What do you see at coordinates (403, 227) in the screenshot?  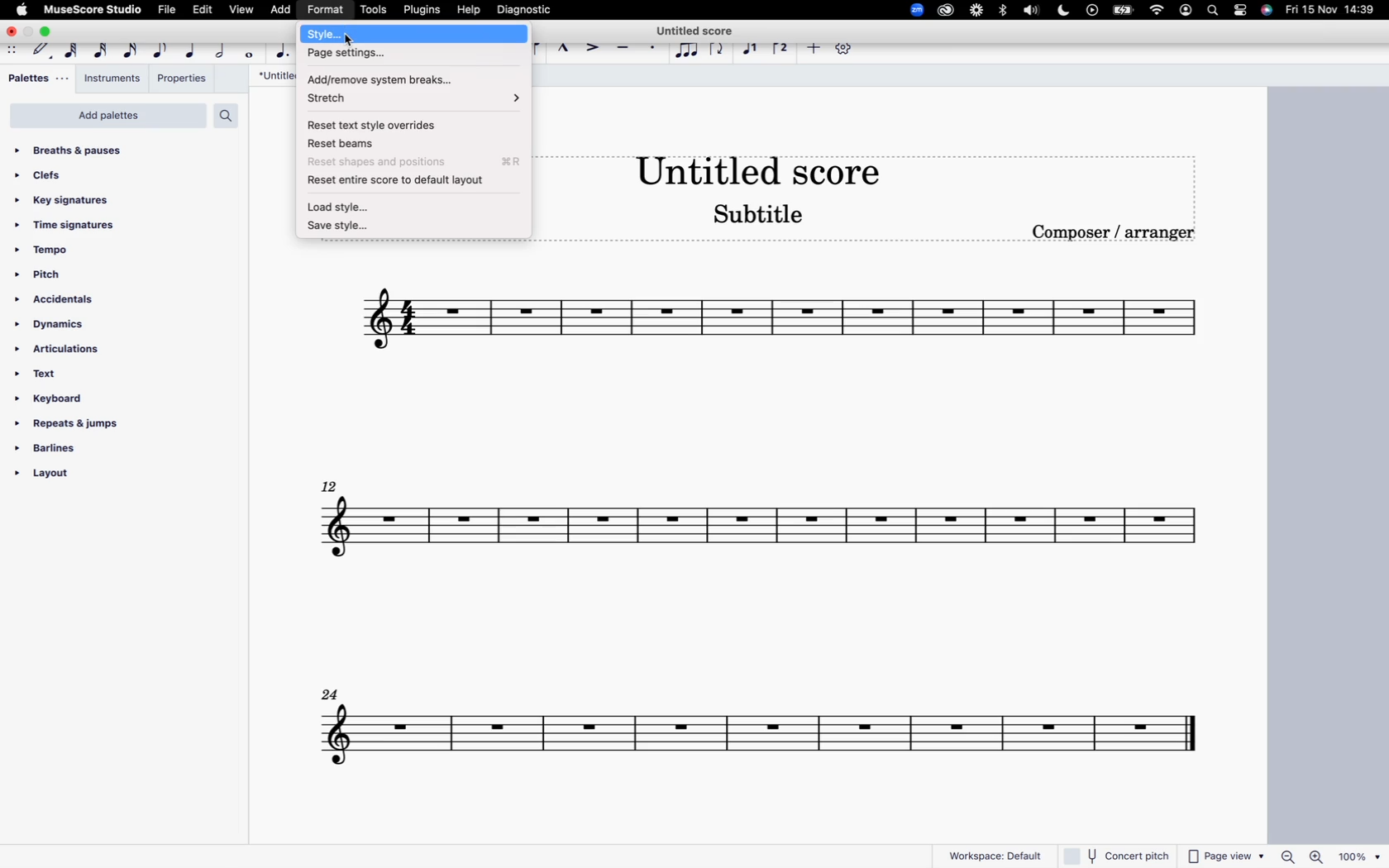 I see `save style` at bounding box center [403, 227].